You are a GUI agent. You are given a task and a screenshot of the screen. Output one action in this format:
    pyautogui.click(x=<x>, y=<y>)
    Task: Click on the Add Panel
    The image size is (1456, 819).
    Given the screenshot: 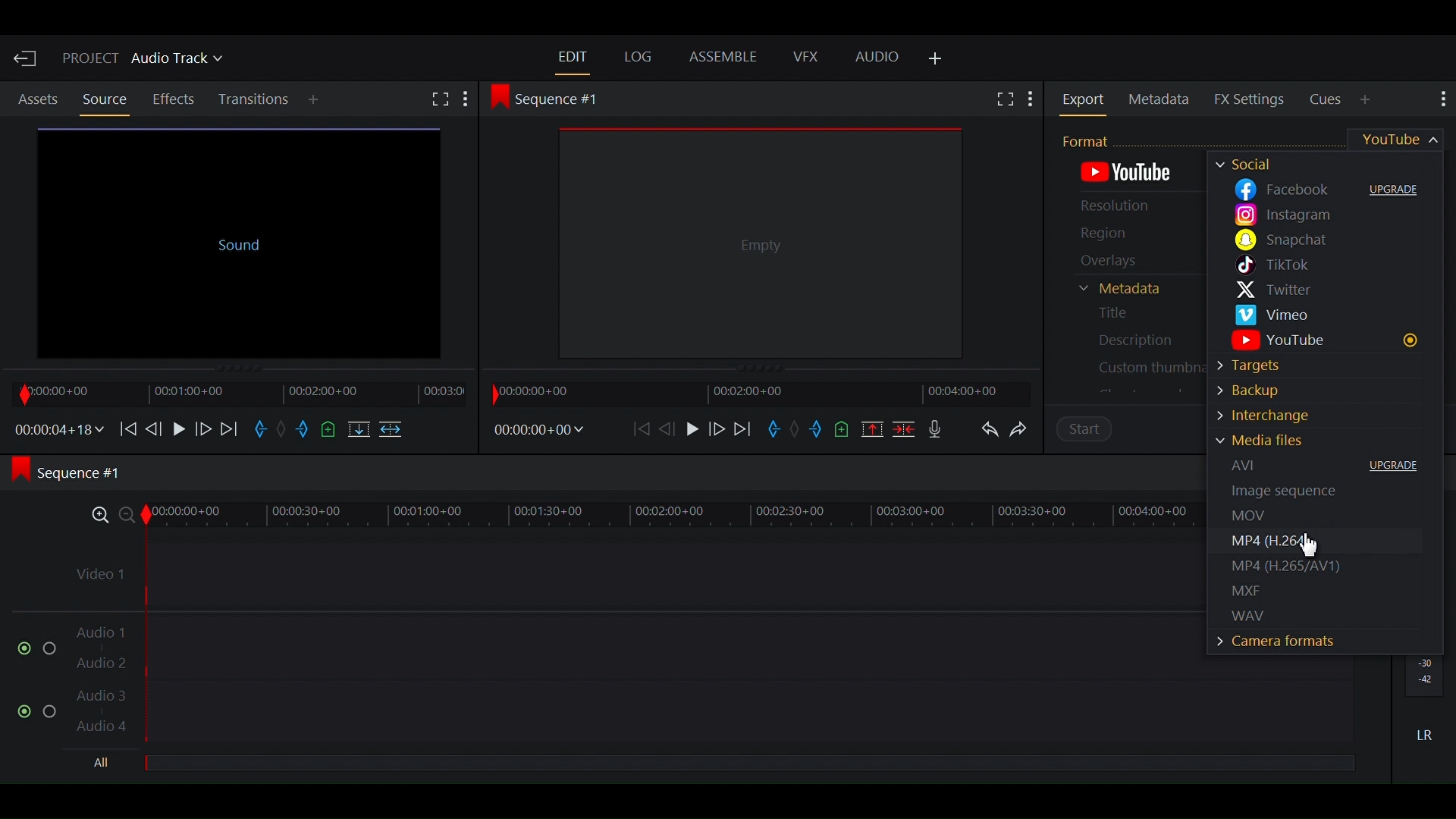 What is the action you would take?
    pyautogui.click(x=936, y=60)
    